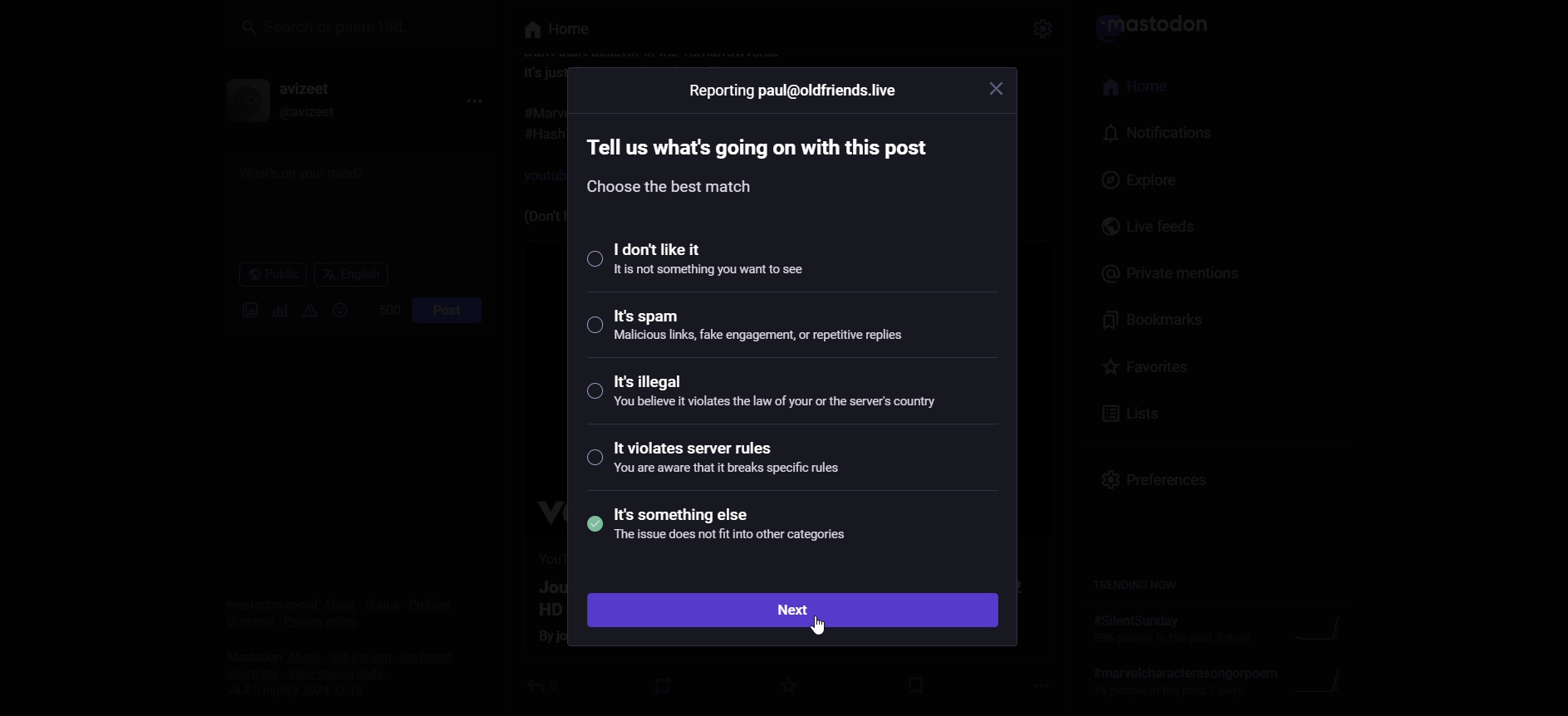 The width and height of the screenshot is (1568, 716). I want to click on I dont like it, so click(705, 262).